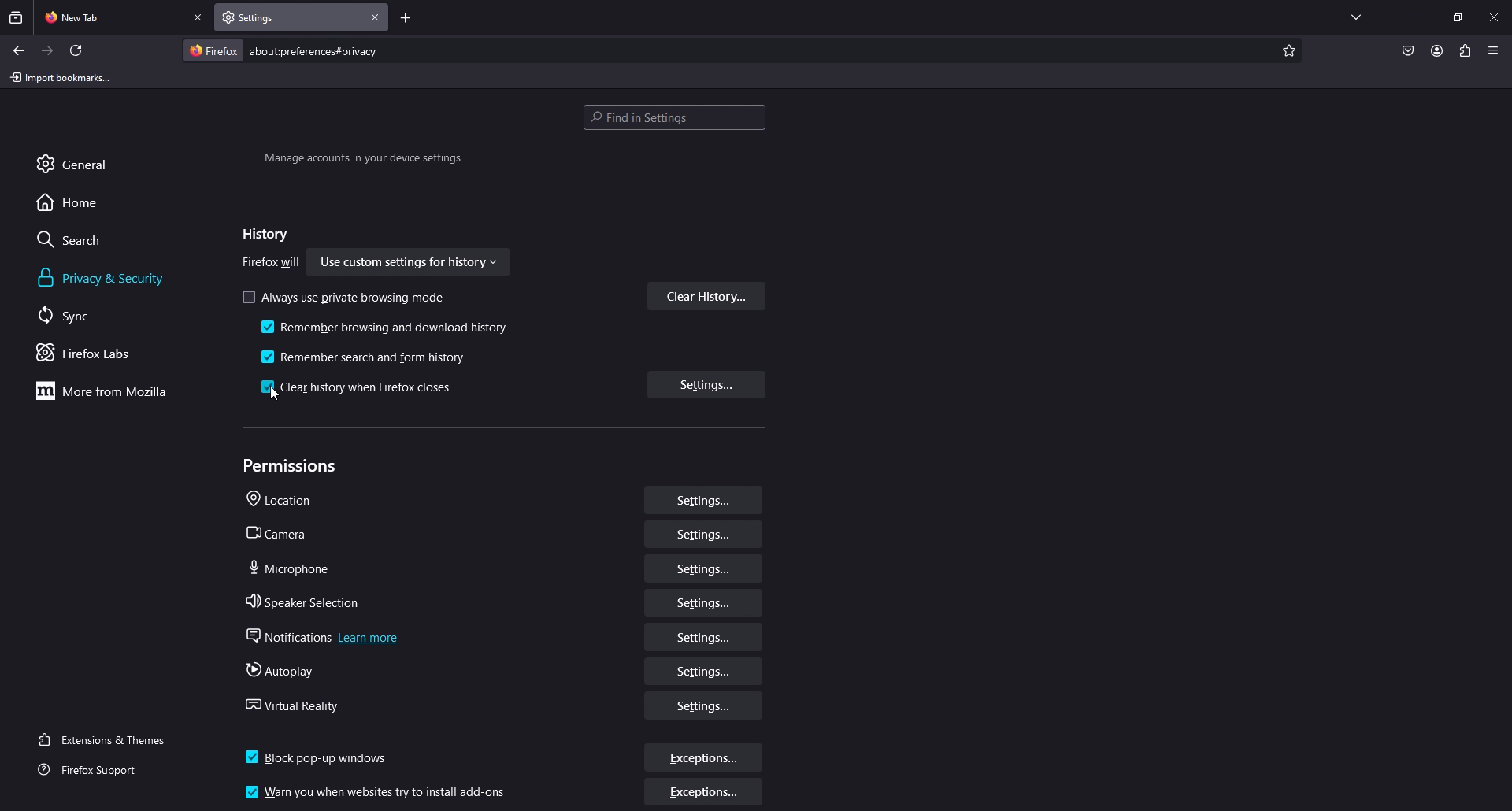  What do you see at coordinates (1492, 50) in the screenshot?
I see `application menu` at bounding box center [1492, 50].